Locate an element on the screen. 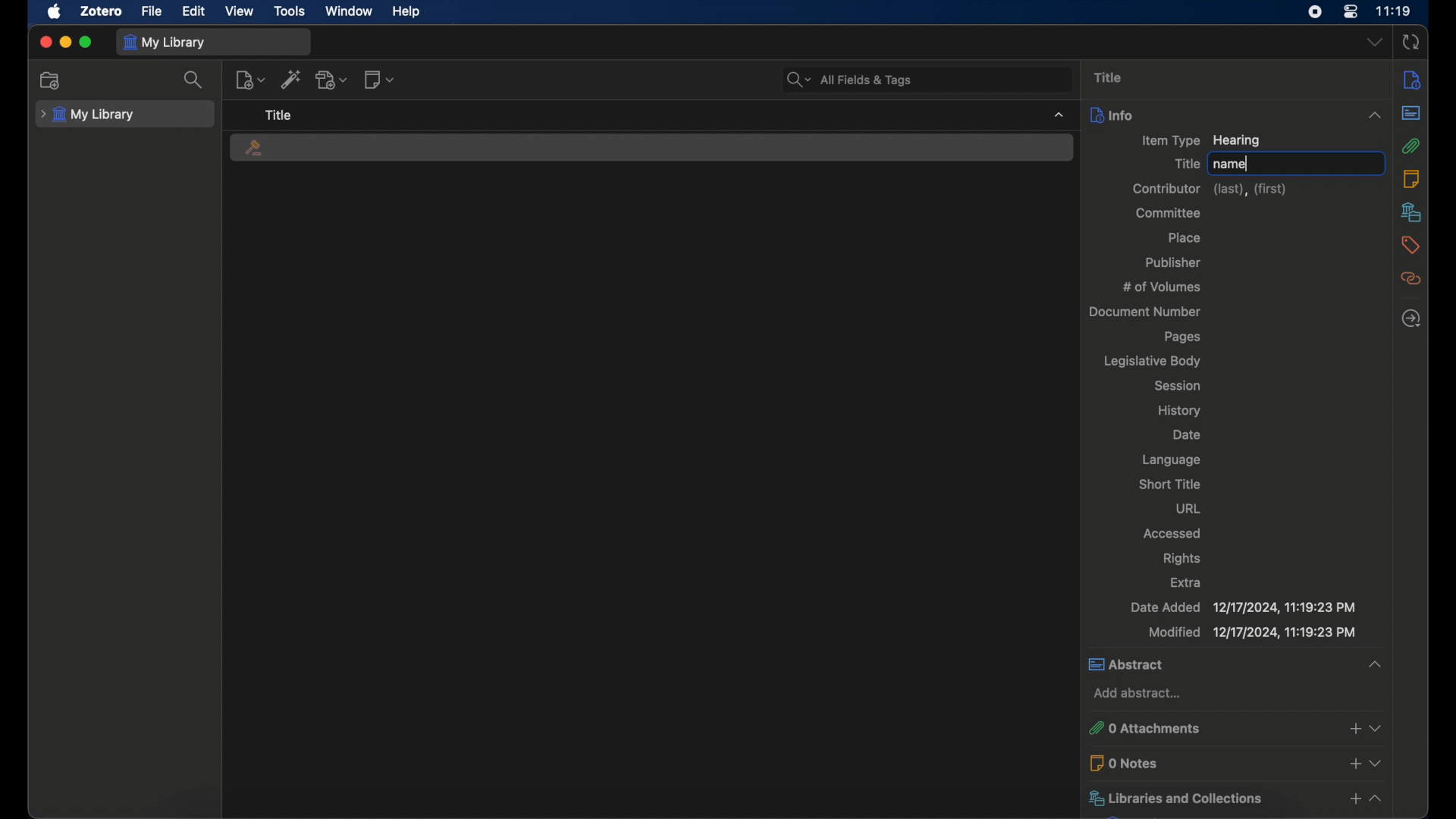 The height and width of the screenshot is (819, 1456). add abstract is located at coordinates (1138, 694).